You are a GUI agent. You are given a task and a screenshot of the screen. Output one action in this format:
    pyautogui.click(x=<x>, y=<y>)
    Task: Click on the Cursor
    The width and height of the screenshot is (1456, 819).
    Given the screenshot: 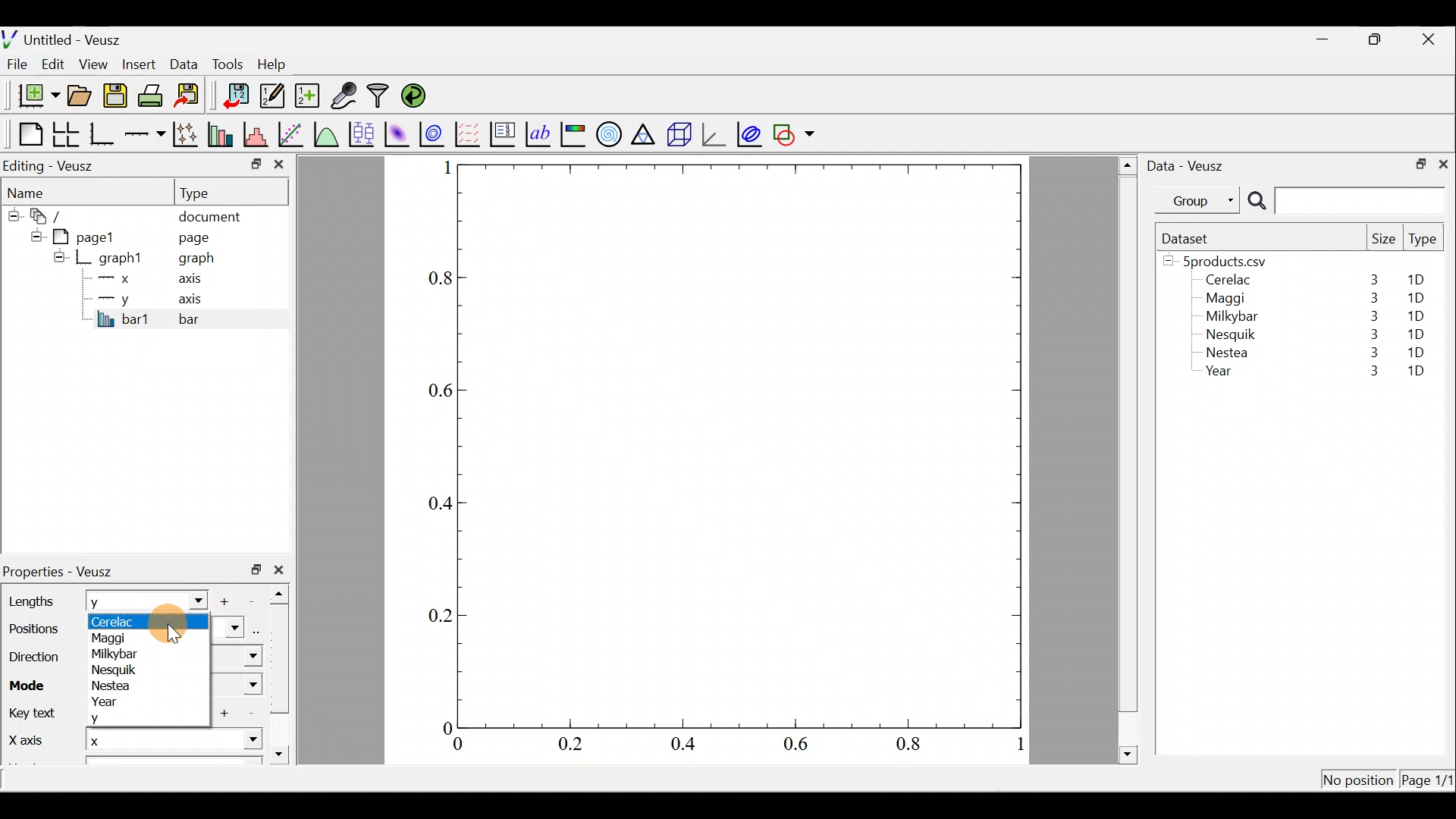 What is the action you would take?
    pyautogui.click(x=186, y=623)
    